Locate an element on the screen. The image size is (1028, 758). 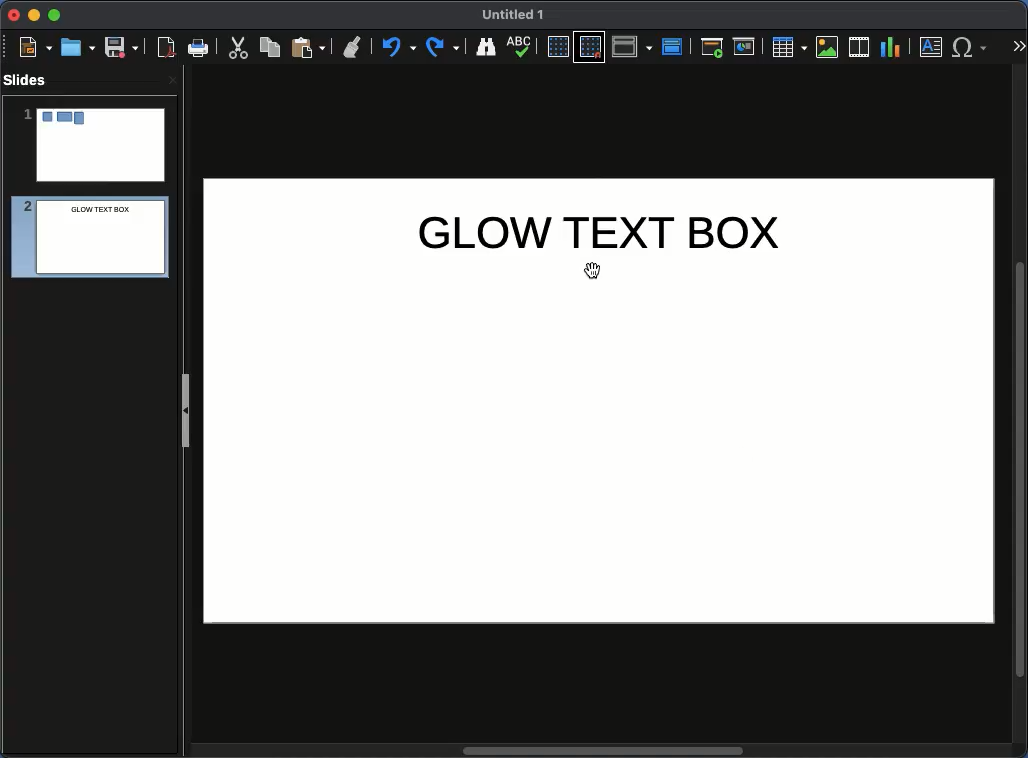
Special characters is located at coordinates (974, 47).